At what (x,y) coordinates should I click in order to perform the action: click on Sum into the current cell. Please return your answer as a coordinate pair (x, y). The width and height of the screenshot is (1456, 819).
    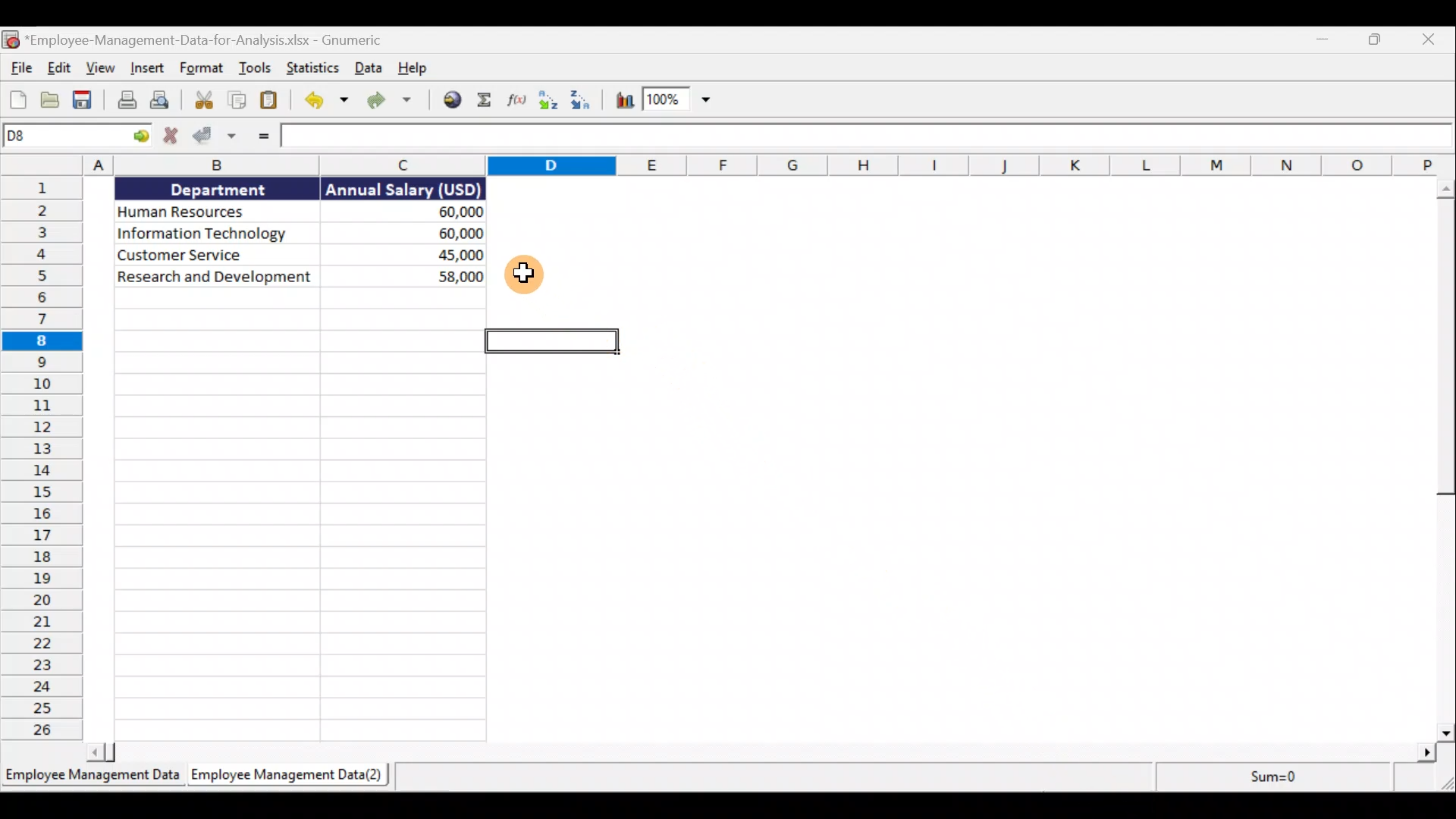
    Looking at the image, I should click on (485, 103).